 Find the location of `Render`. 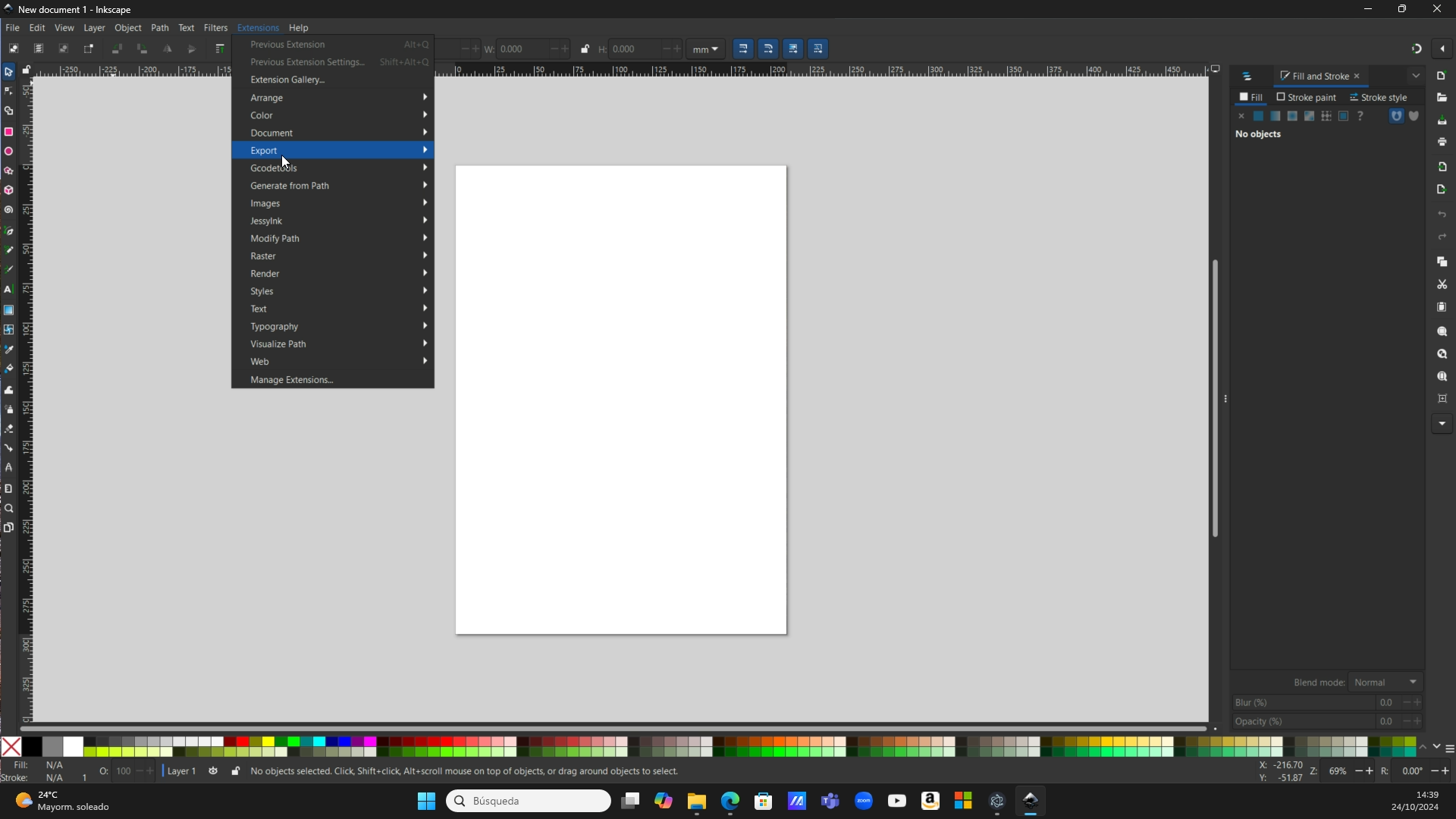

Render is located at coordinates (341, 273).